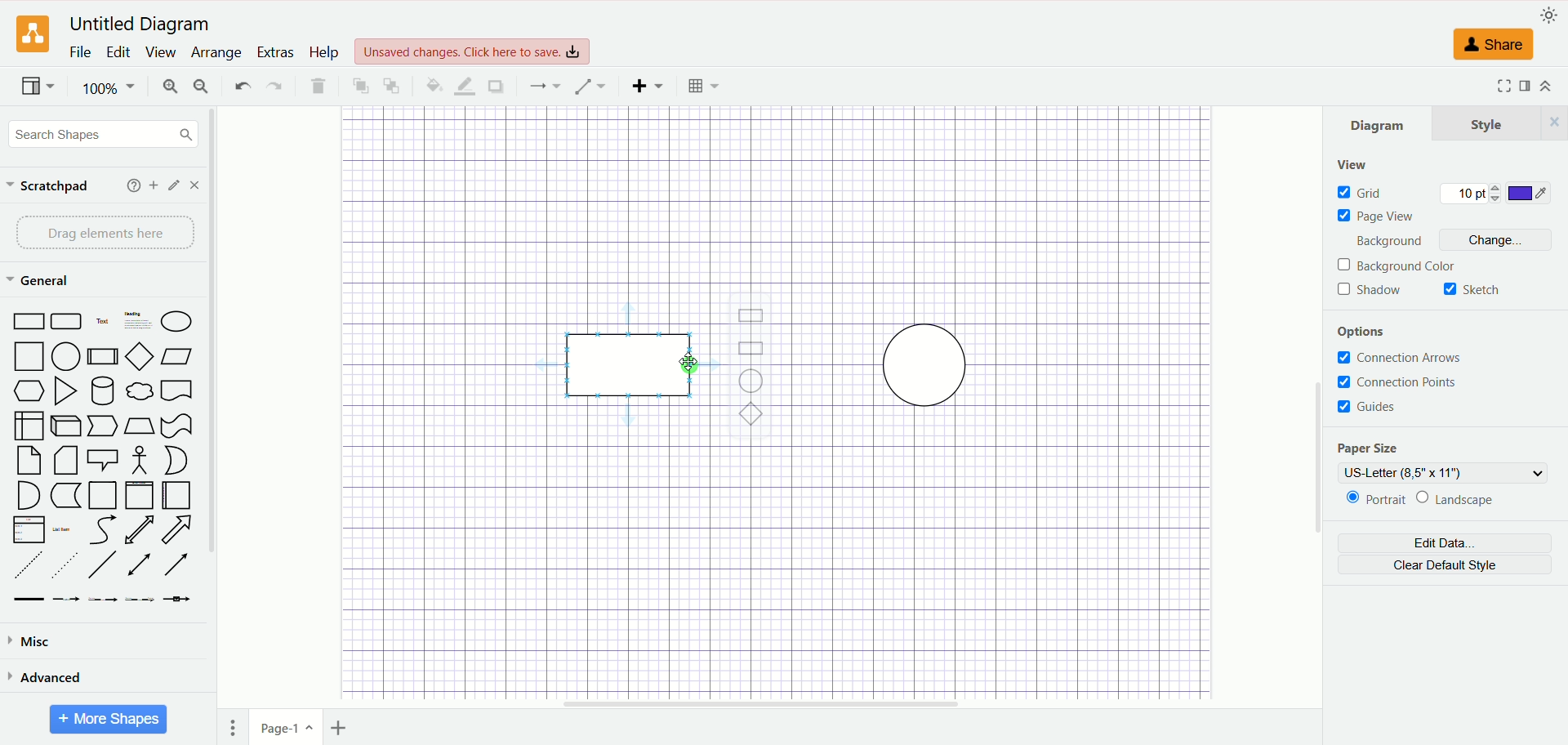 Image resolution: width=1568 pixels, height=745 pixels. I want to click on 100%, so click(109, 87).